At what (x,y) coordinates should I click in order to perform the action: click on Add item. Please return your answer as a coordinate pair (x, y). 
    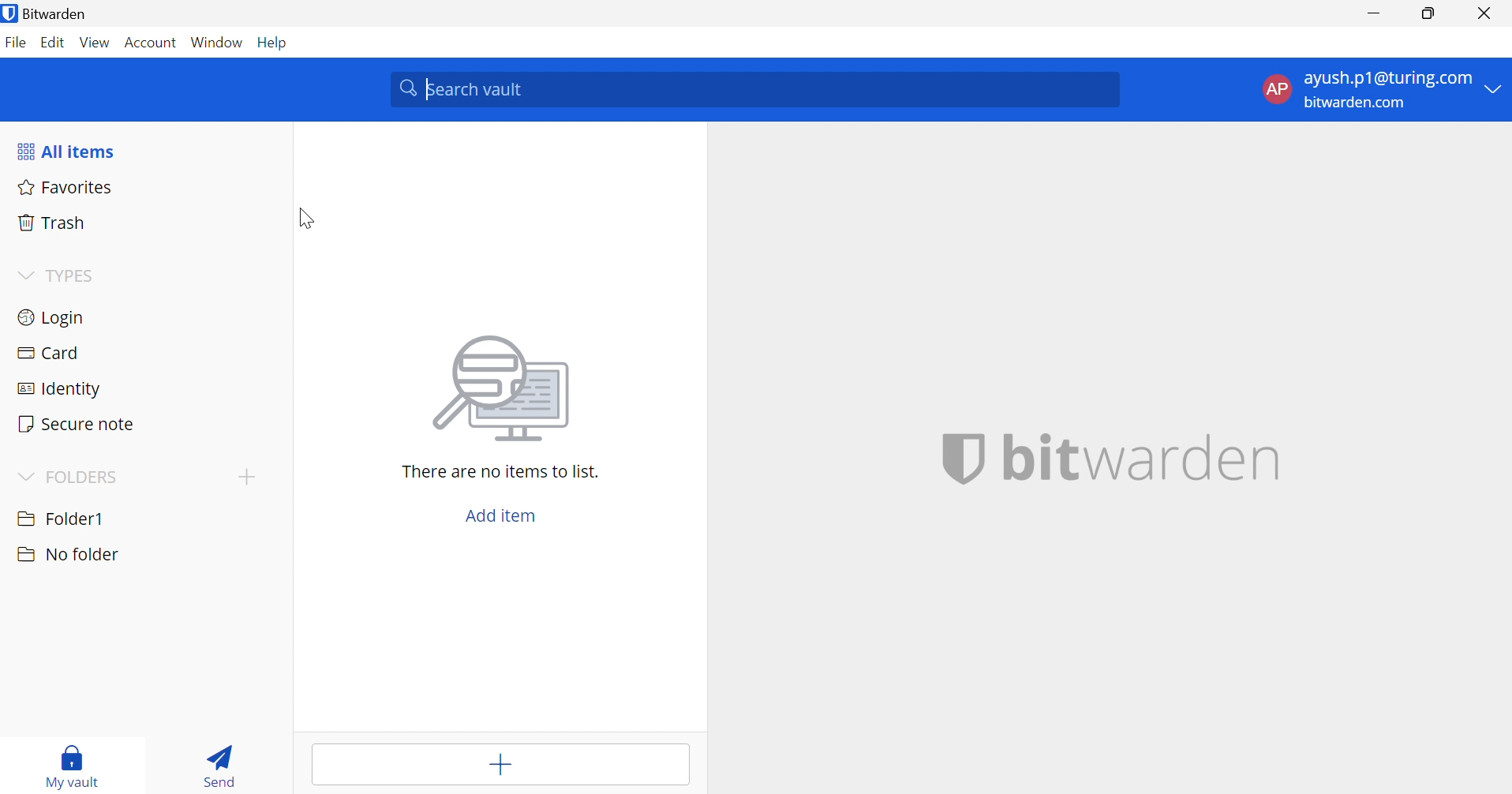
    Looking at the image, I should click on (498, 765).